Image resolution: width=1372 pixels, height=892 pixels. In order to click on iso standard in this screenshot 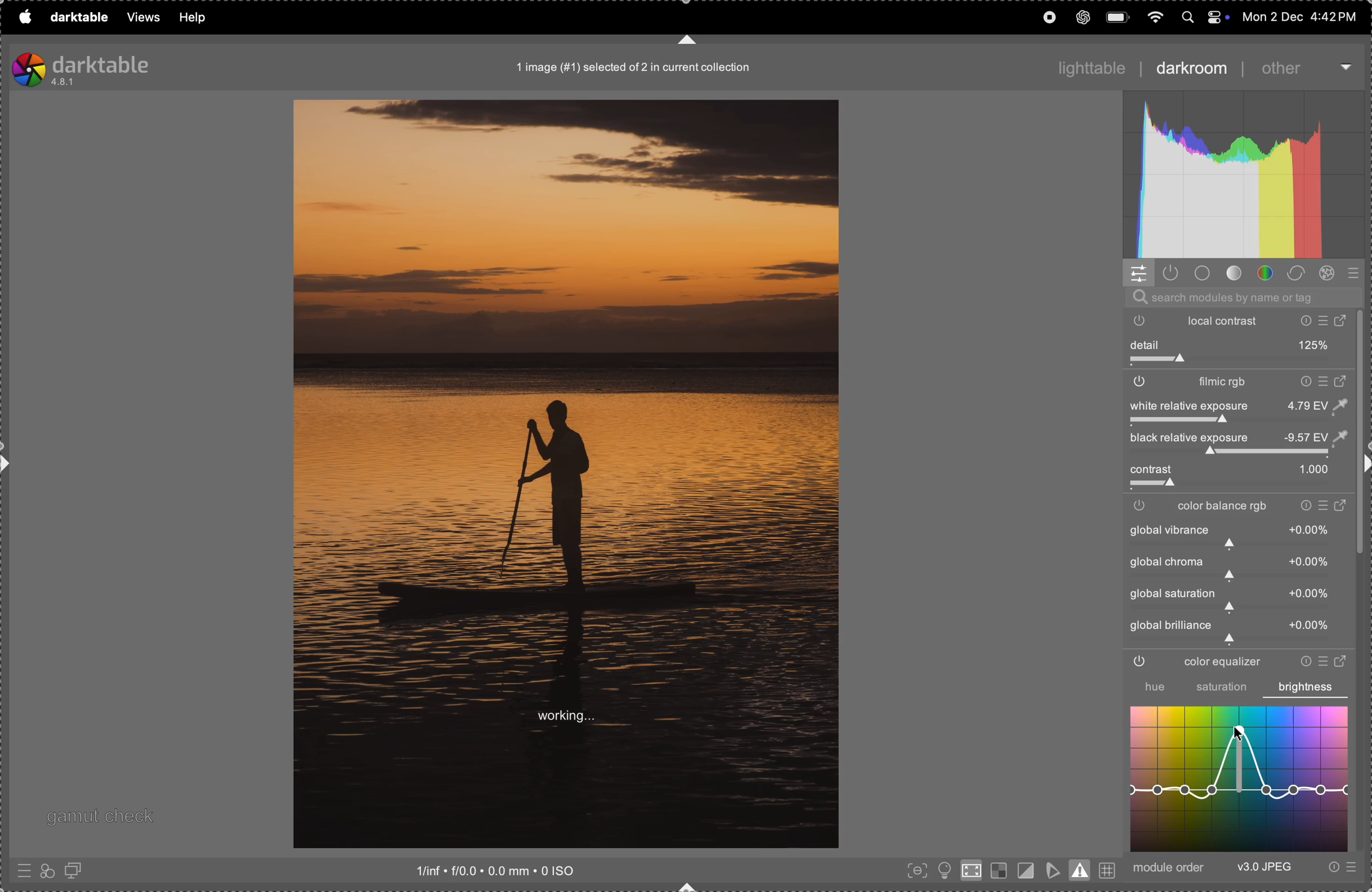, I will do `click(513, 872)`.